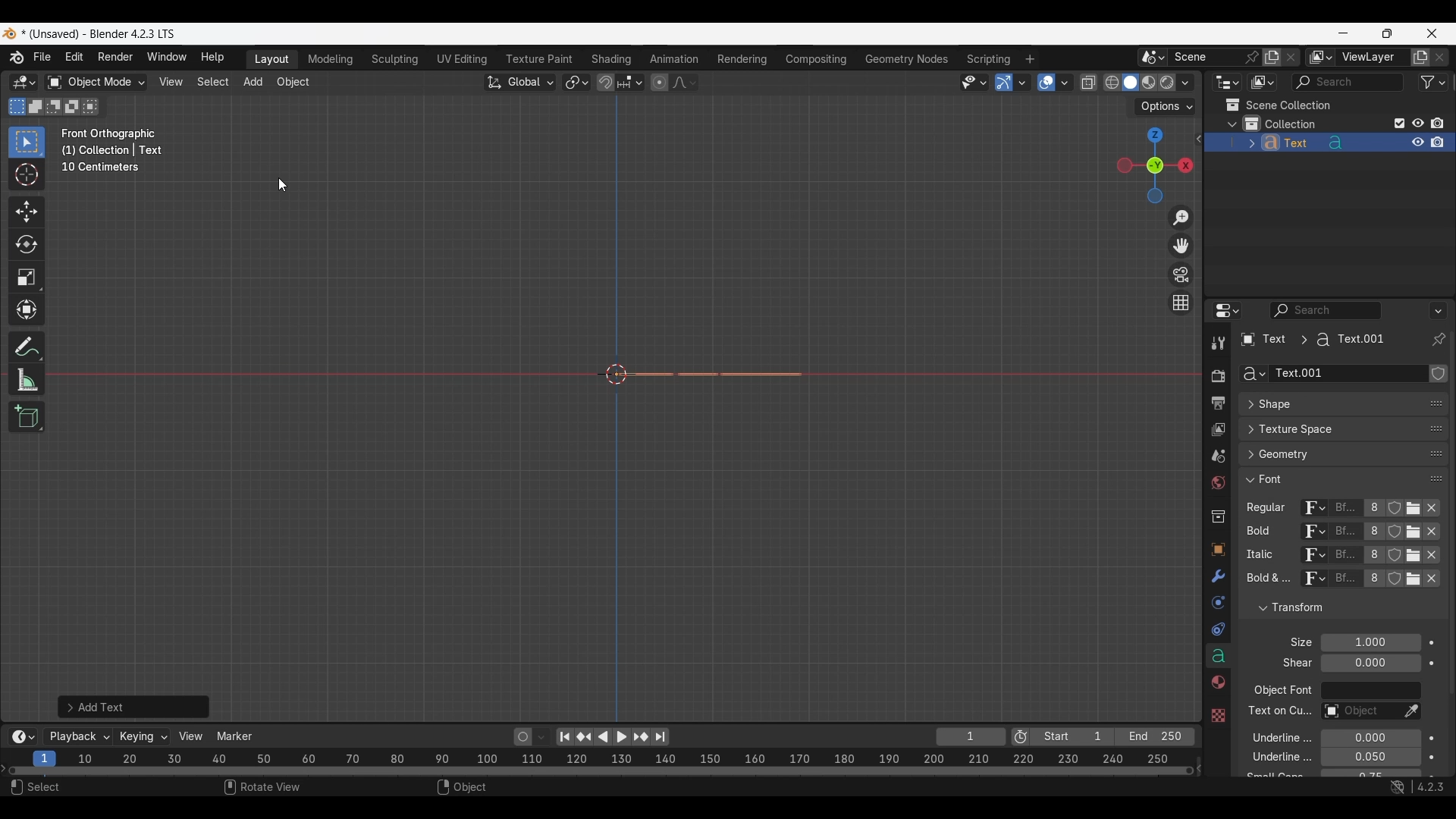 The height and width of the screenshot is (819, 1456). Describe the element at coordinates (1433, 82) in the screenshot. I see `Filter` at that location.